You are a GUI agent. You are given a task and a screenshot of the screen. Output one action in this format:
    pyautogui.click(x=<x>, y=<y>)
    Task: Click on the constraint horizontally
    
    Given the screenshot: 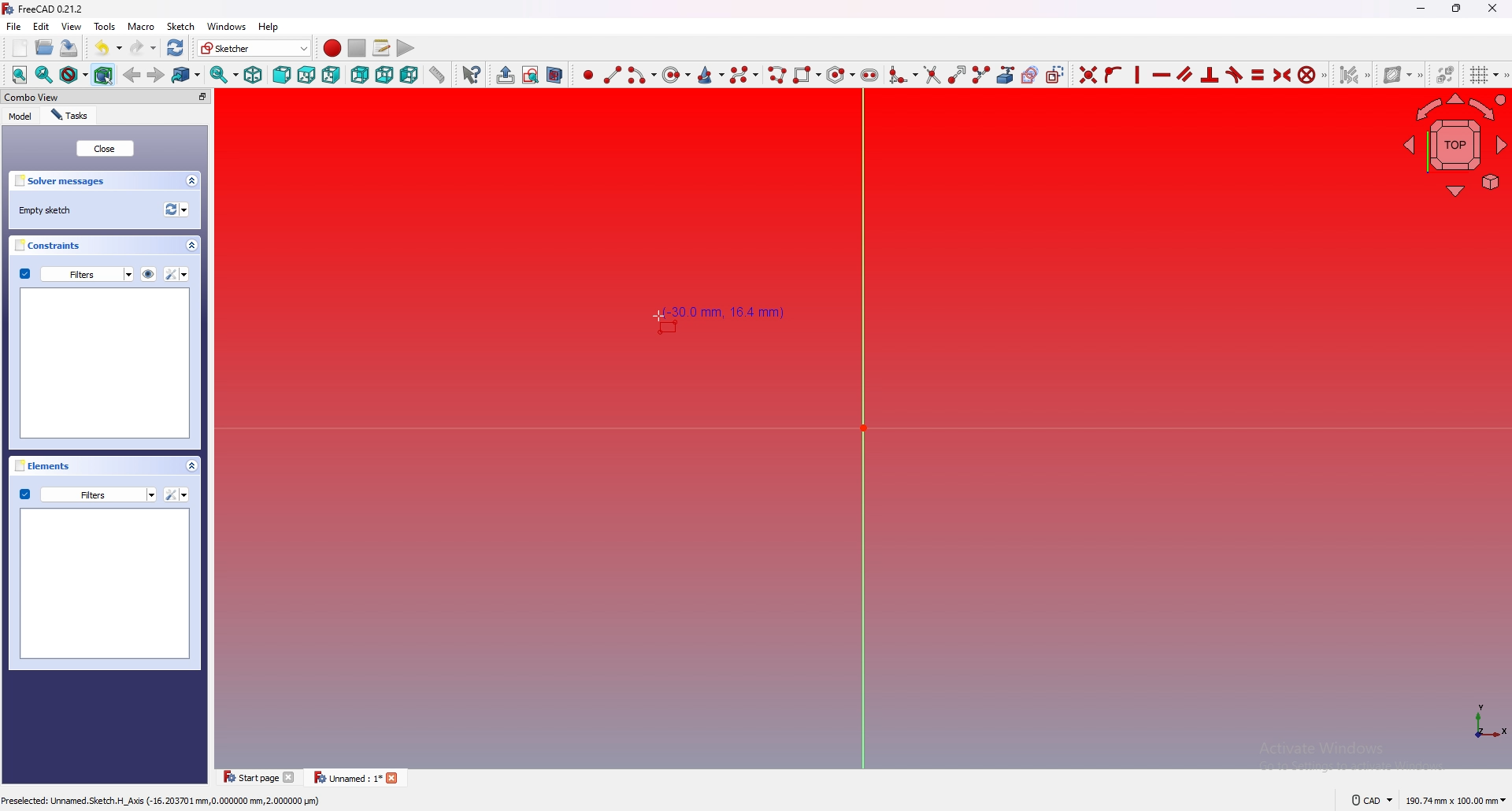 What is the action you would take?
    pyautogui.click(x=1138, y=74)
    